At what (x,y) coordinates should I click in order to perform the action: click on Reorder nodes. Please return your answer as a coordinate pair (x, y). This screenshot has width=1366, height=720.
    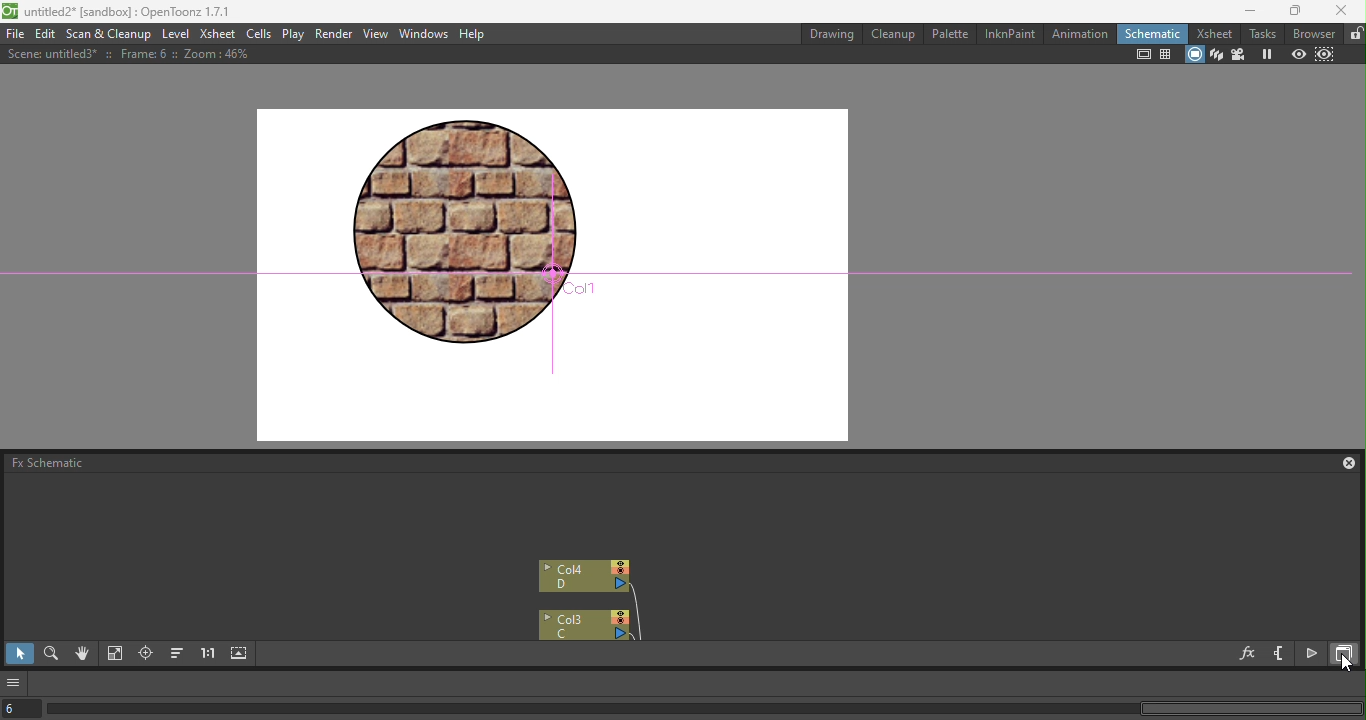
    Looking at the image, I should click on (176, 655).